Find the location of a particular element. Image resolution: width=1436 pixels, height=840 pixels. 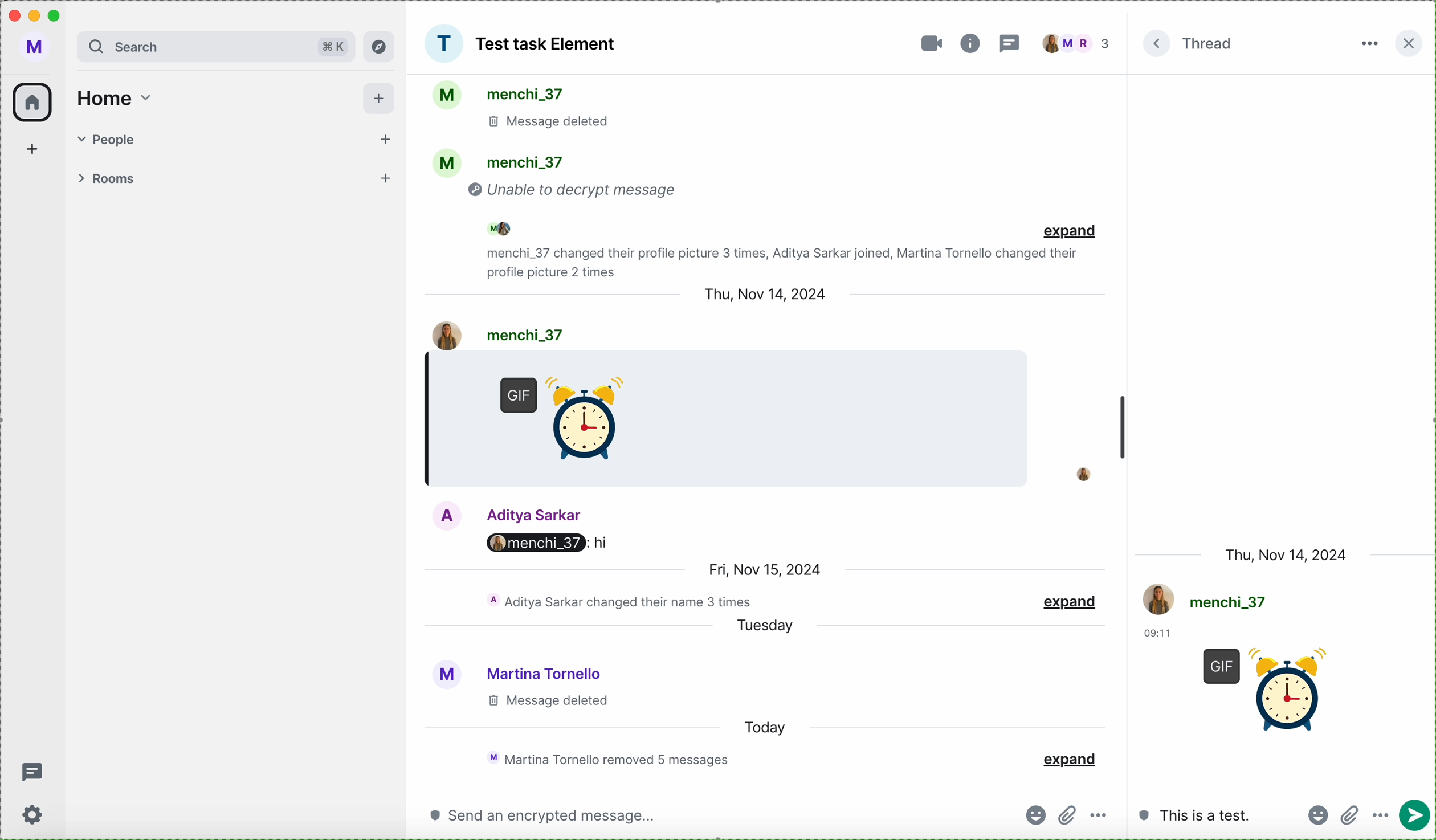

threads is located at coordinates (1011, 43).